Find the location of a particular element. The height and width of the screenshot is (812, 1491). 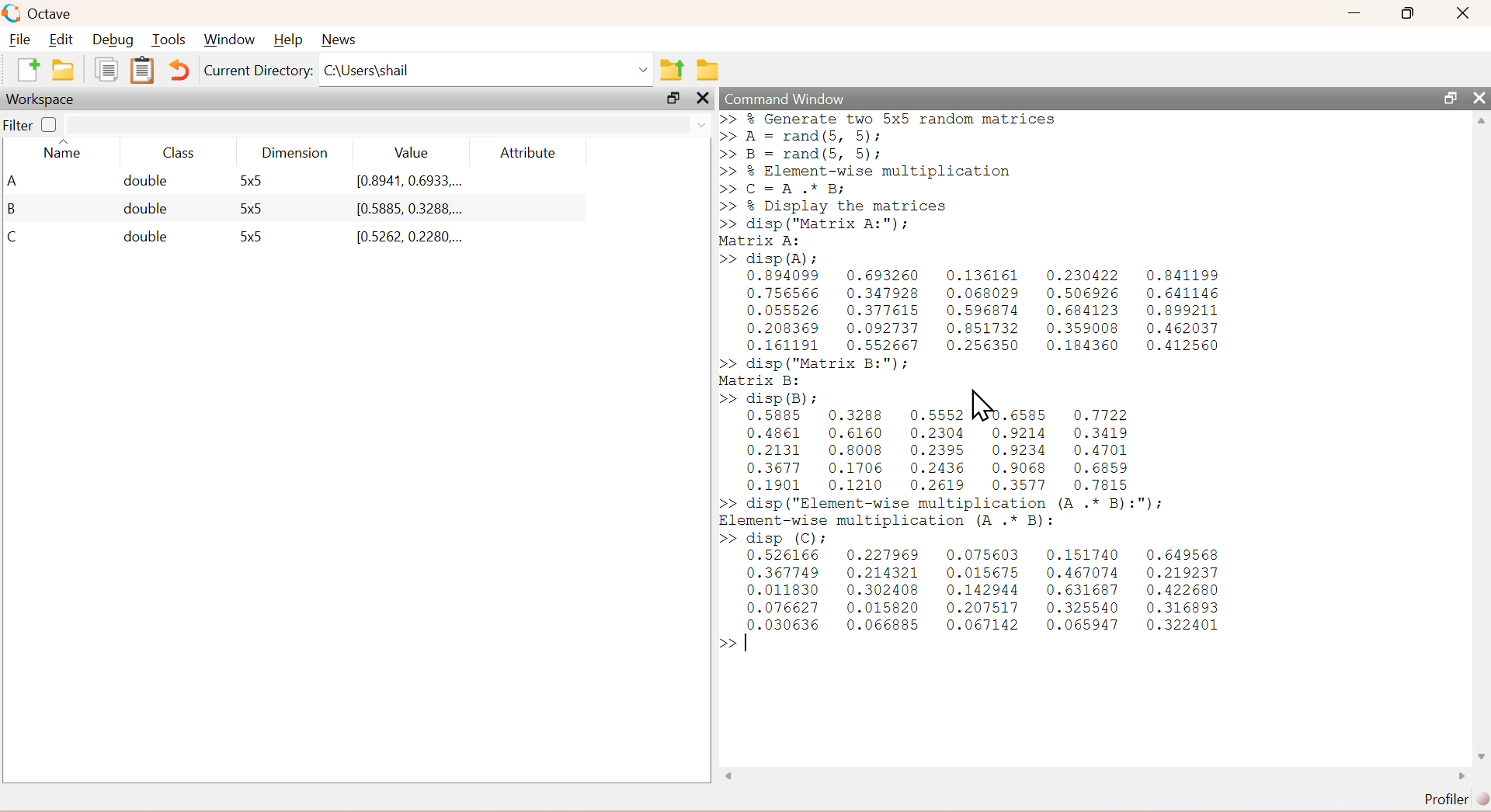

A double 5x5 0.8941, 0.6933...
B double 5x5 [0.5885, 0.3288...
C double 5x5 0.5262, 0.2280... is located at coordinates (265, 210).